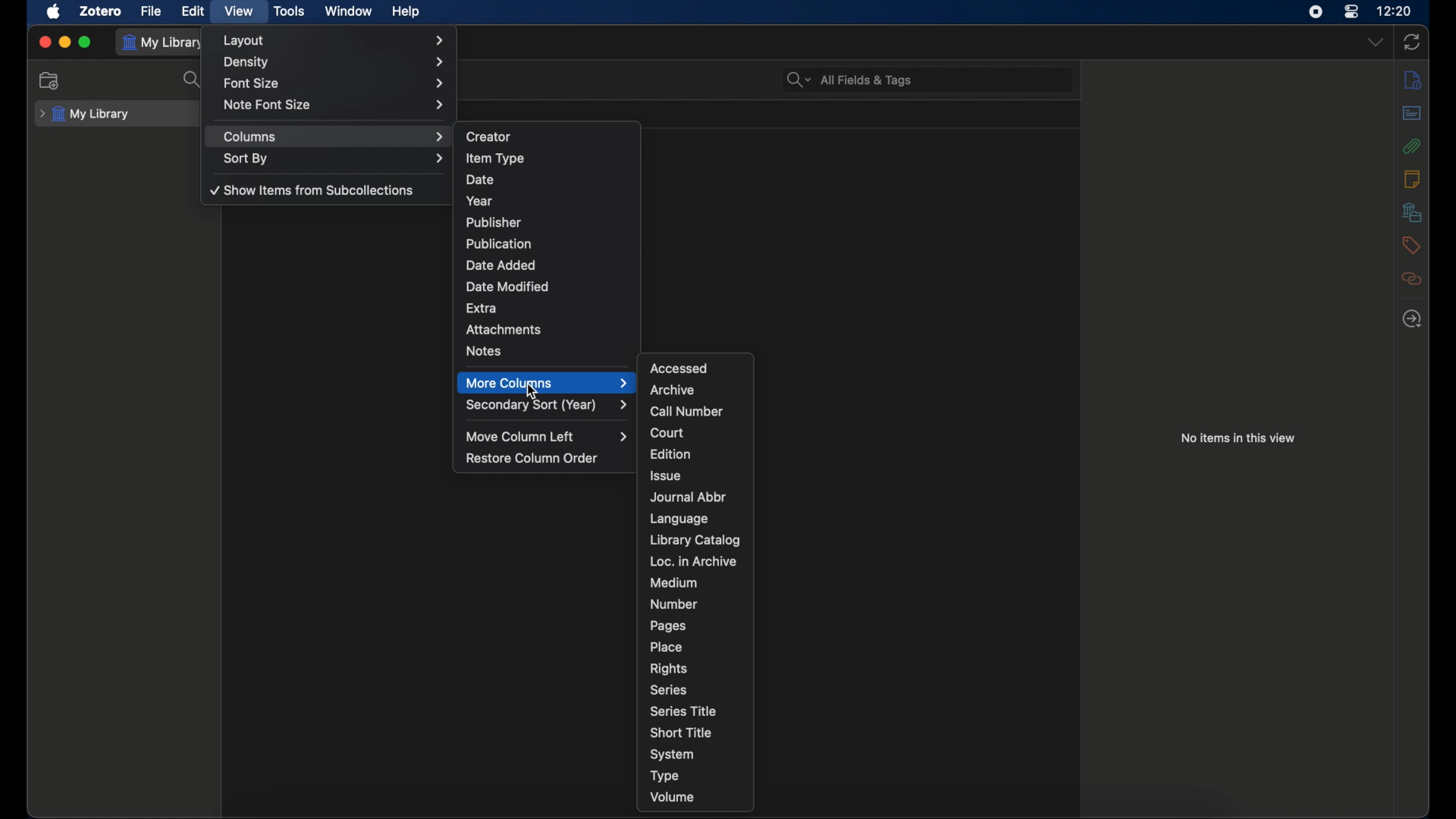  I want to click on accessed, so click(679, 368).